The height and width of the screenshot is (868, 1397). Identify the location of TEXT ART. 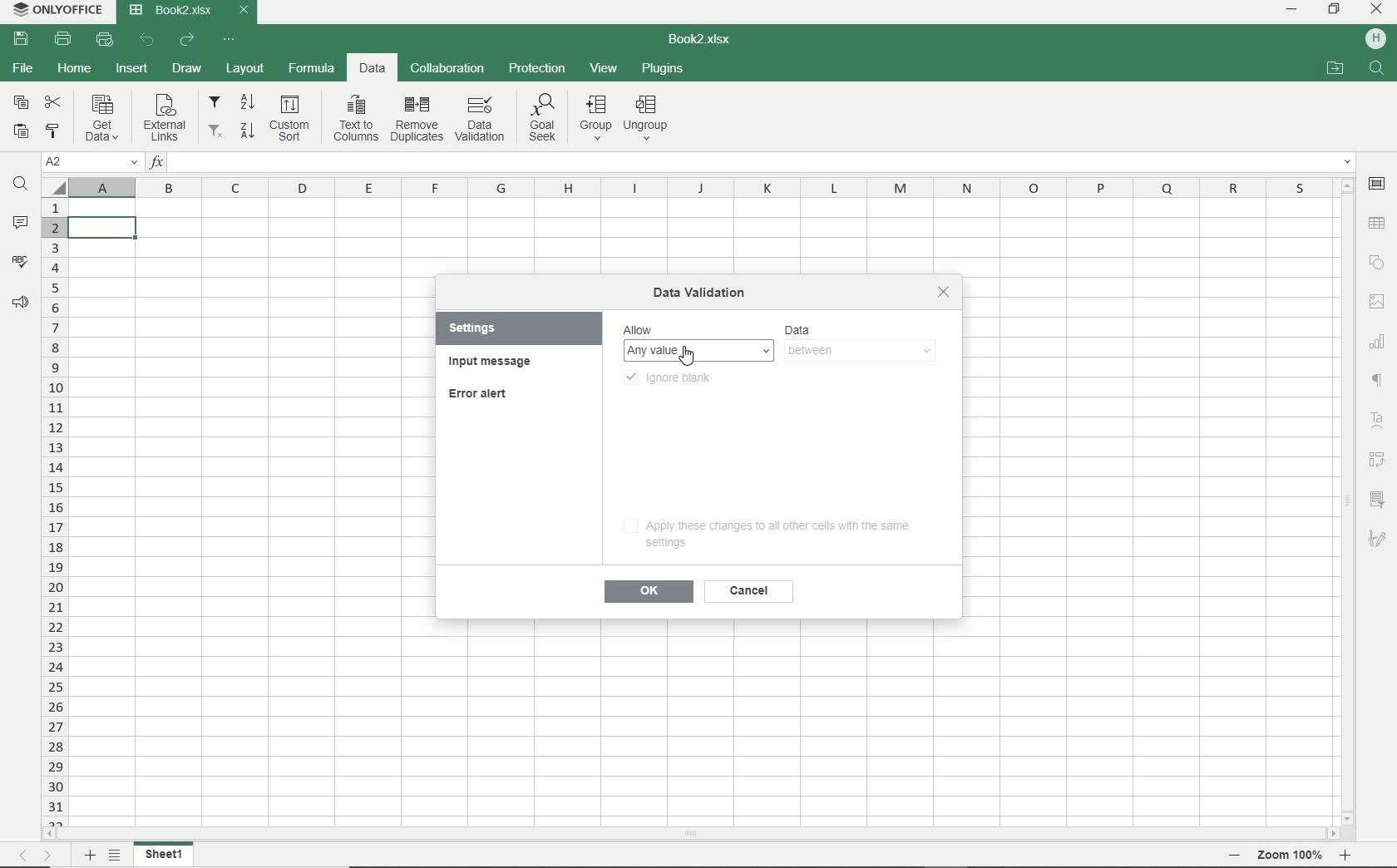
(1378, 422).